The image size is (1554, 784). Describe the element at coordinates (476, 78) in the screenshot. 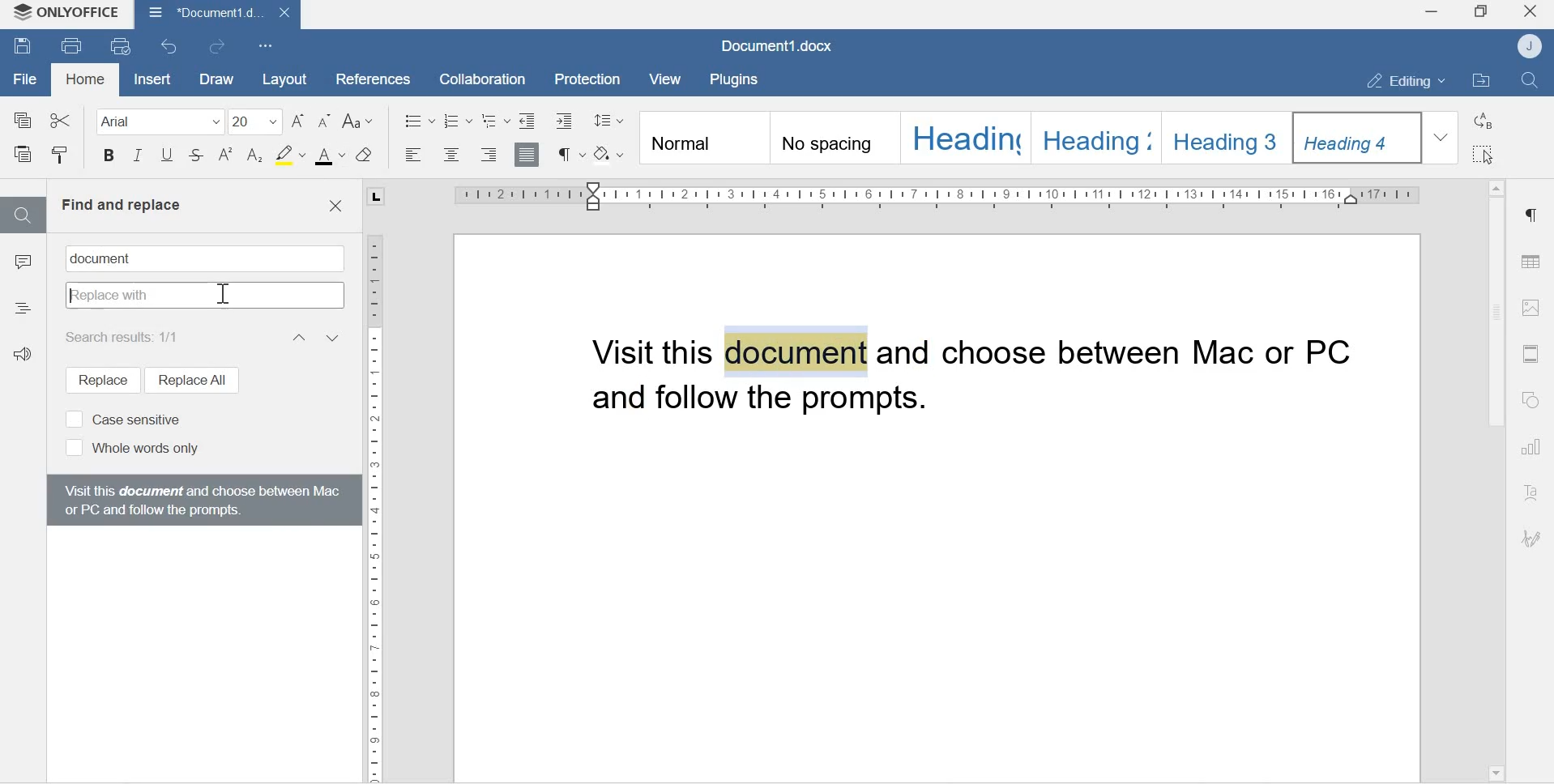

I see `Collaboration` at that location.